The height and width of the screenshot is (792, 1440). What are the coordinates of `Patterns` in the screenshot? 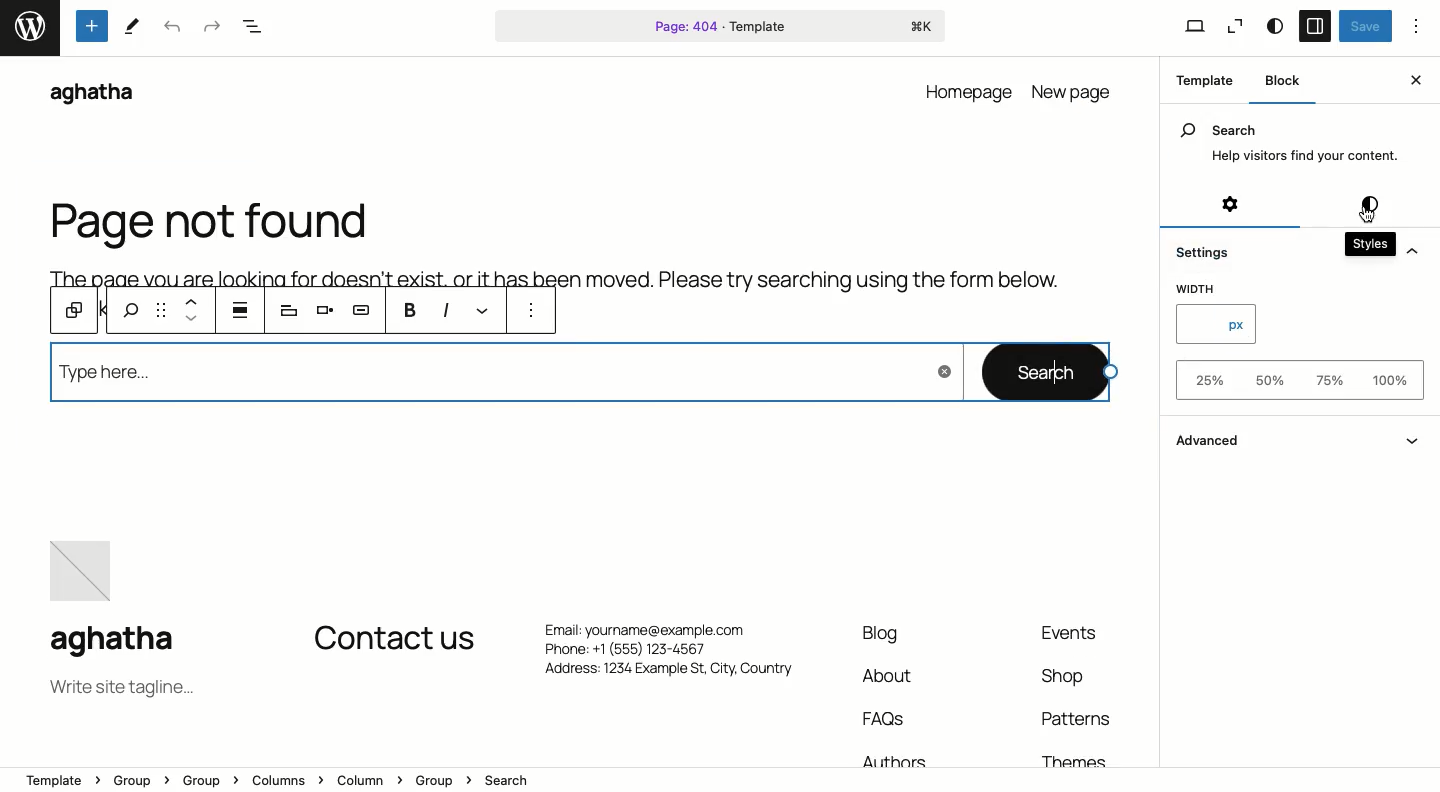 It's located at (1081, 725).